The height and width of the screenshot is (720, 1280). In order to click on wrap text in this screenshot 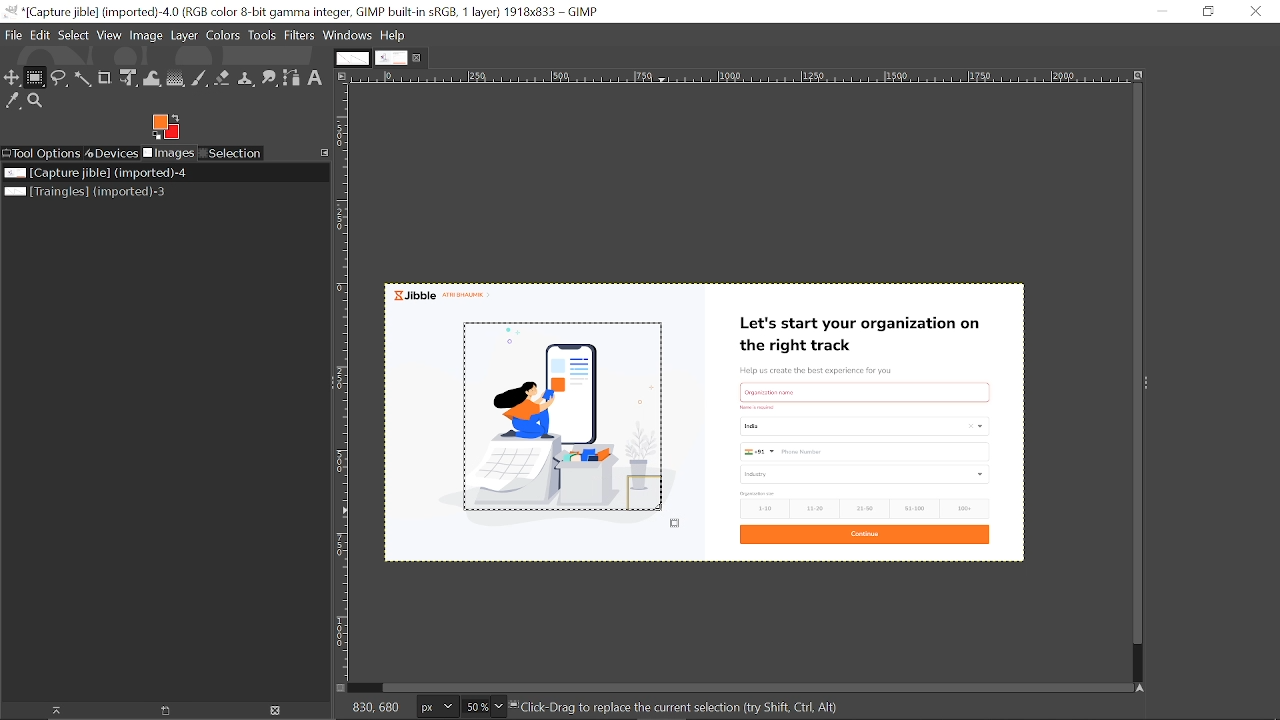, I will do `click(151, 76)`.